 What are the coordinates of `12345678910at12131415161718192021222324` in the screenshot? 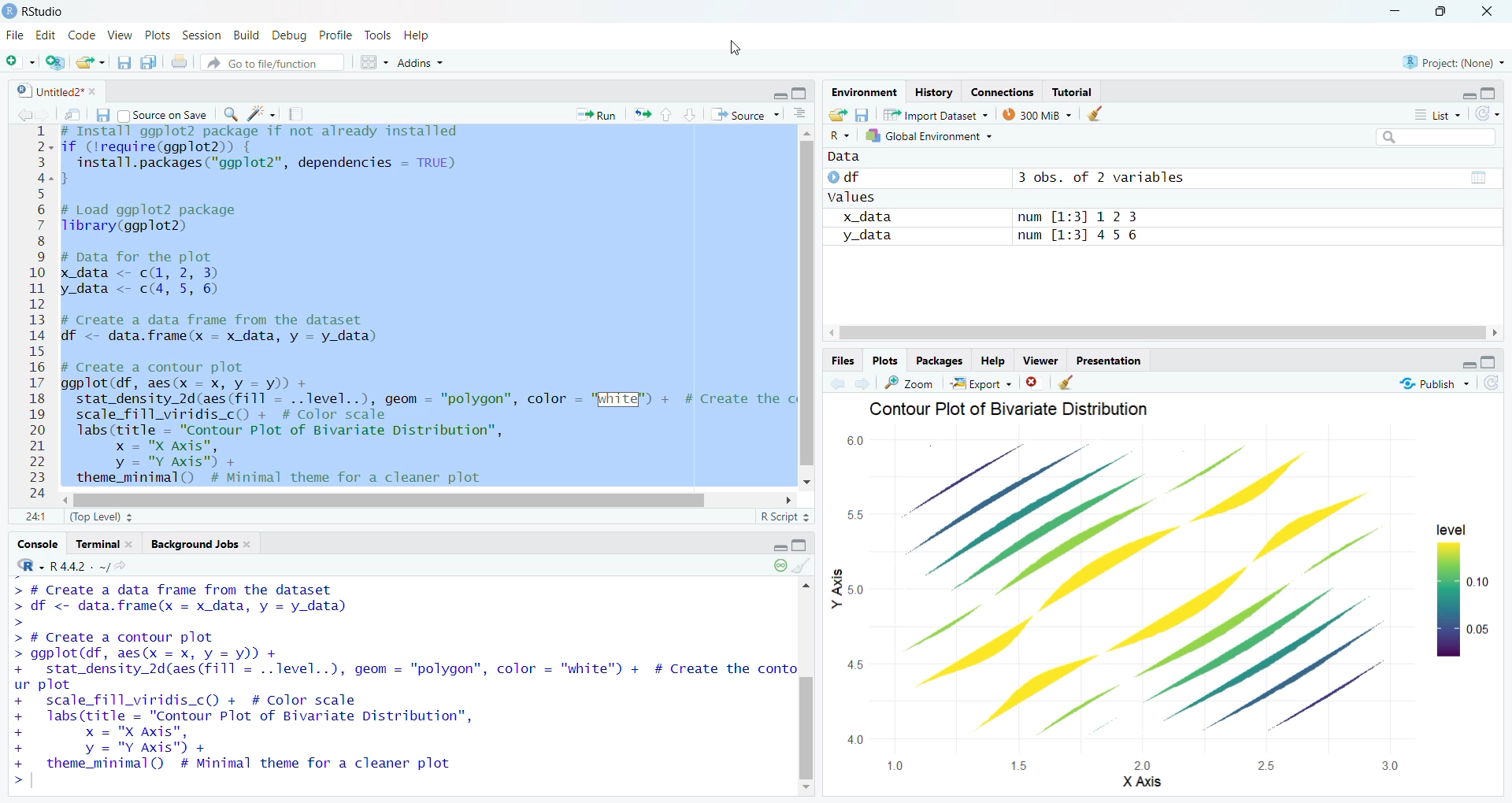 It's located at (29, 312).